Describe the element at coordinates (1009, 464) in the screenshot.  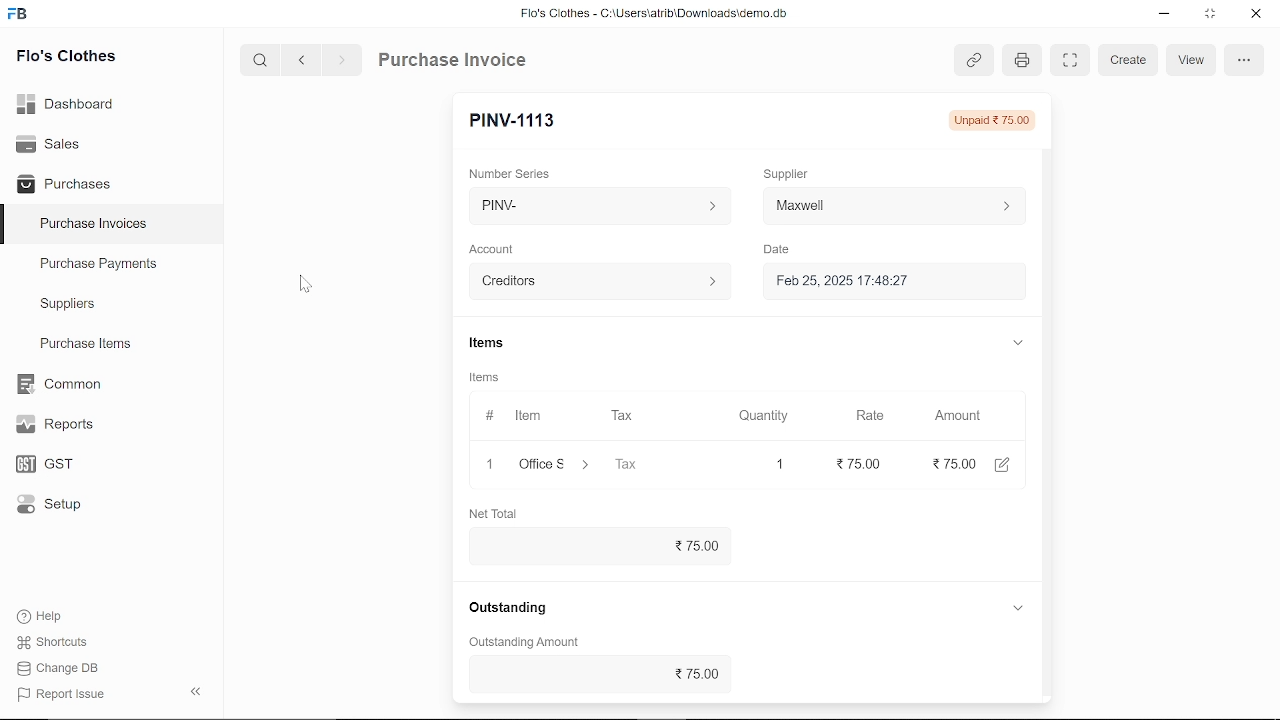
I see `edit amount` at that location.